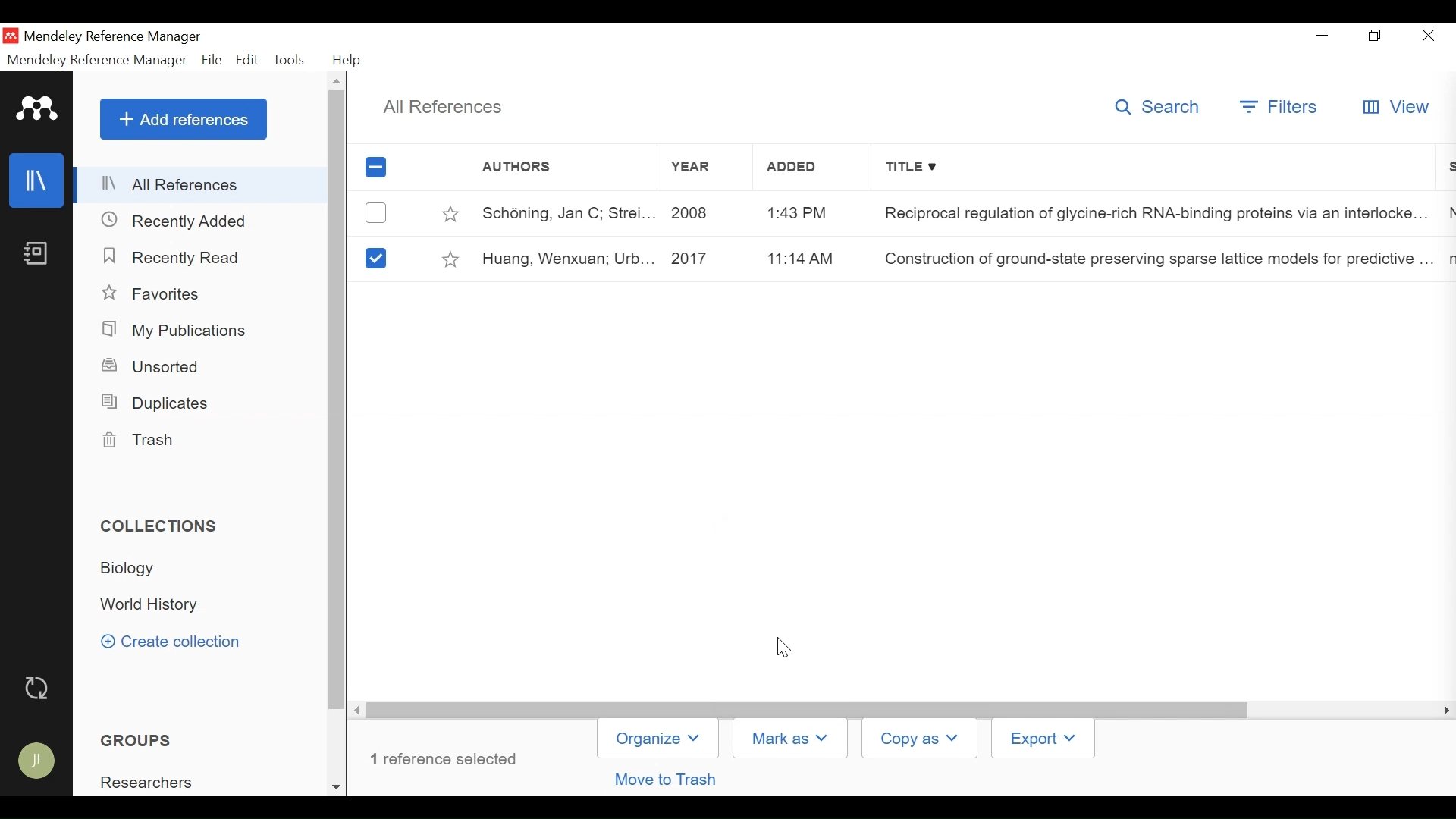  Describe the element at coordinates (338, 786) in the screenshot. I see `Scroll Down` at that location.